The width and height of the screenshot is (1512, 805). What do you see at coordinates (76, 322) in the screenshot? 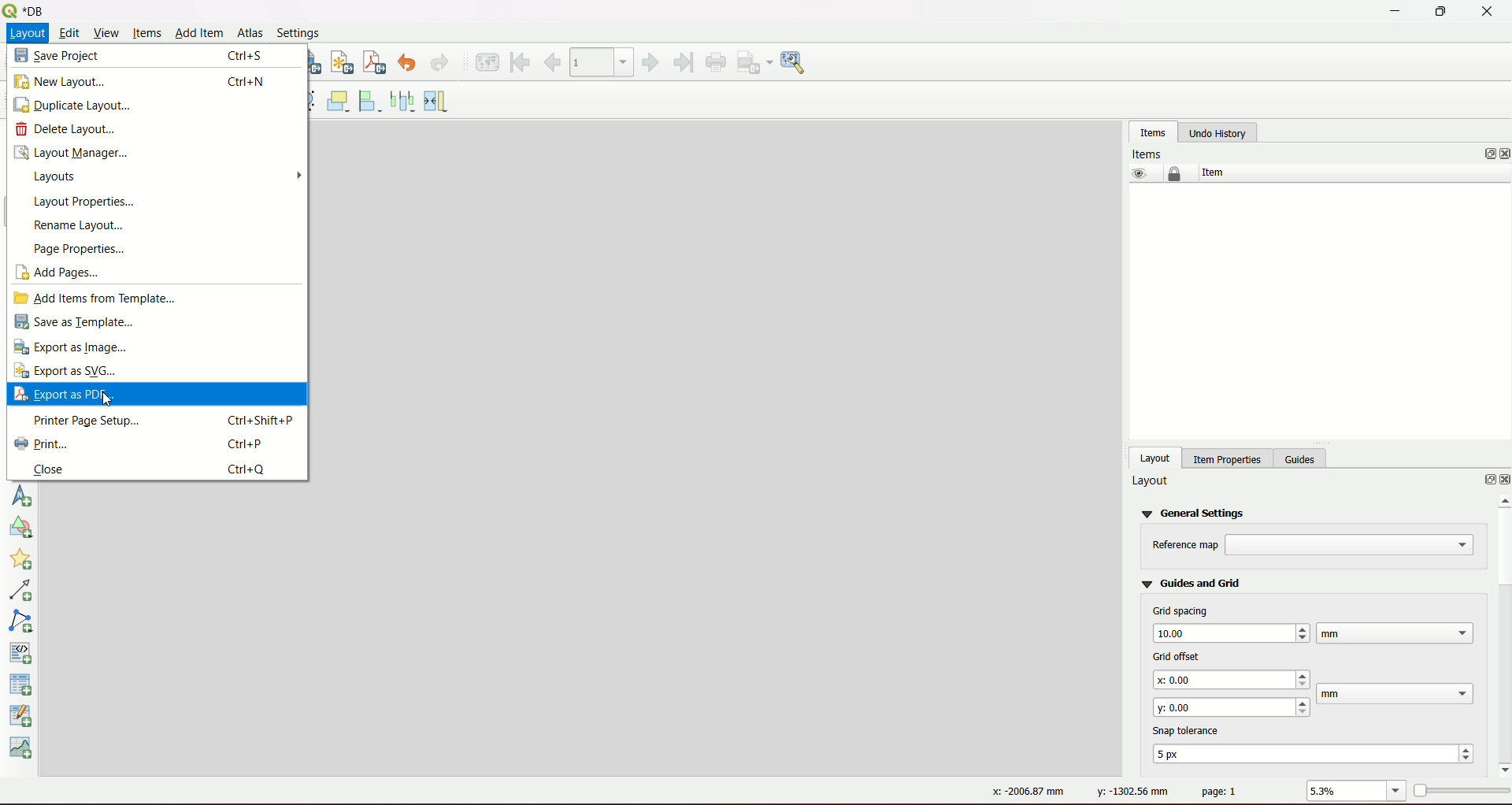
I see `save as template` at bounding box center [76, 322].